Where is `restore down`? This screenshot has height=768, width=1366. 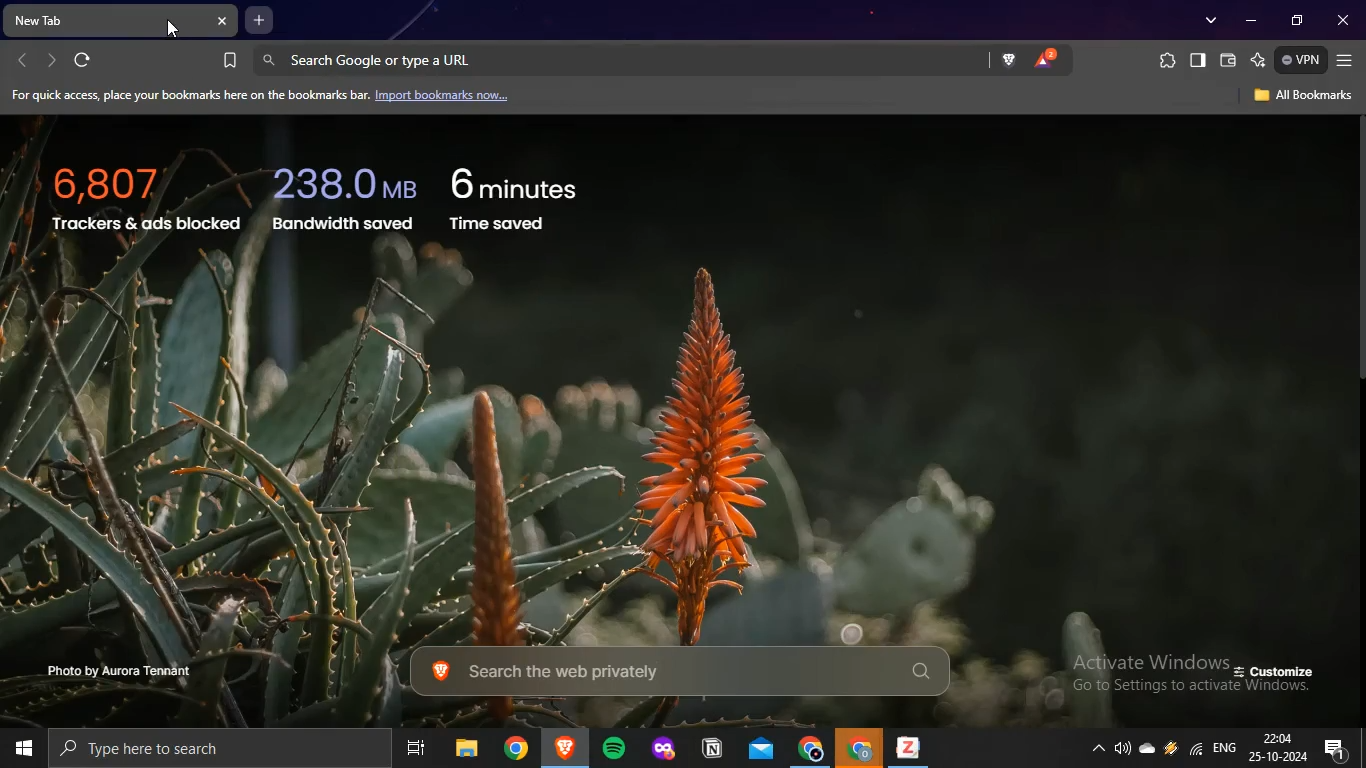 restore down is located at coordinates (1298, 20).